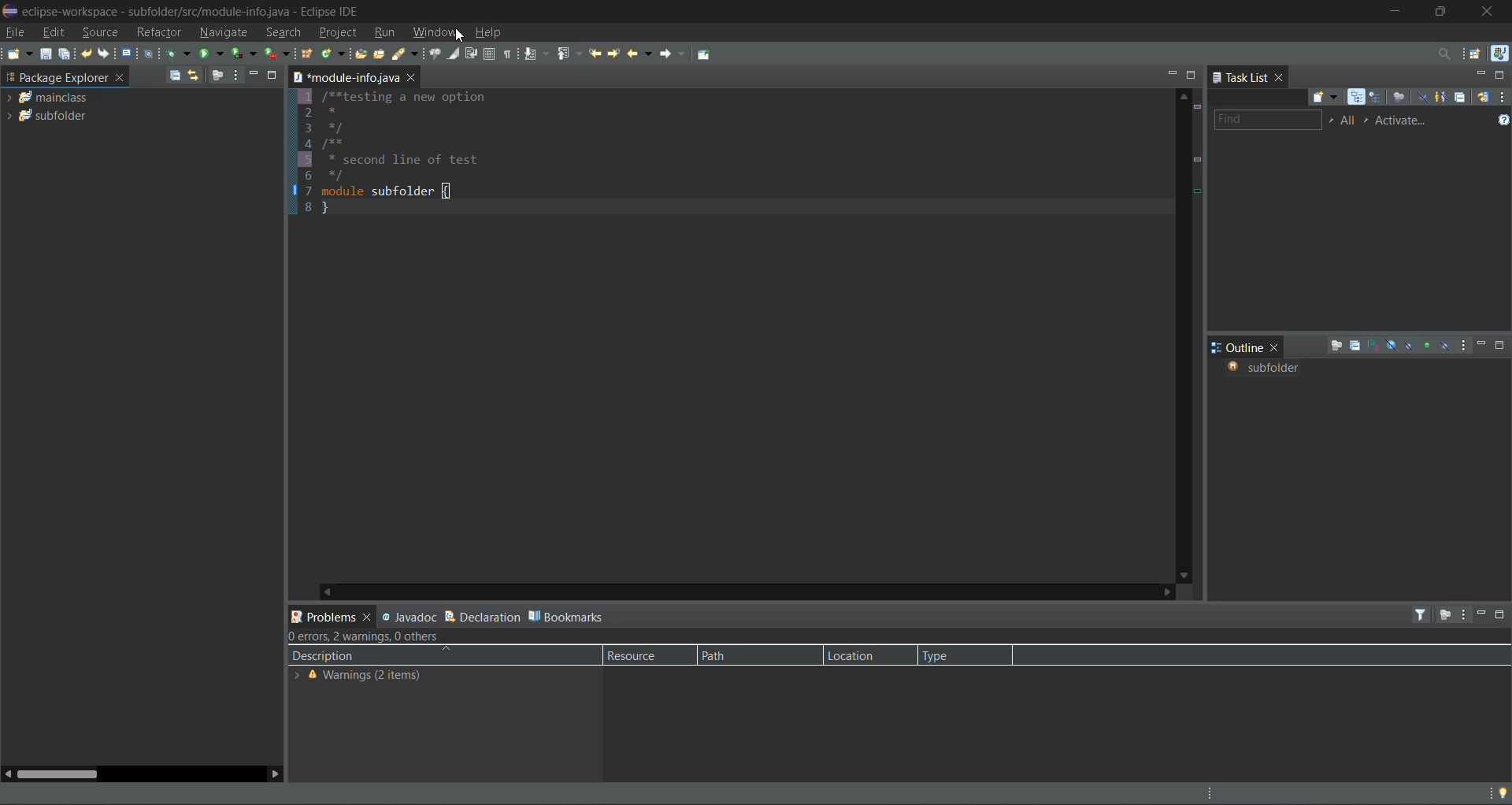 Image resolution: width=1512 pixels, height=805 pixels. What do you see at coordinates (1377, 98) in the screenshot?
I see `scheduled` at bounding box center [1377, 98].